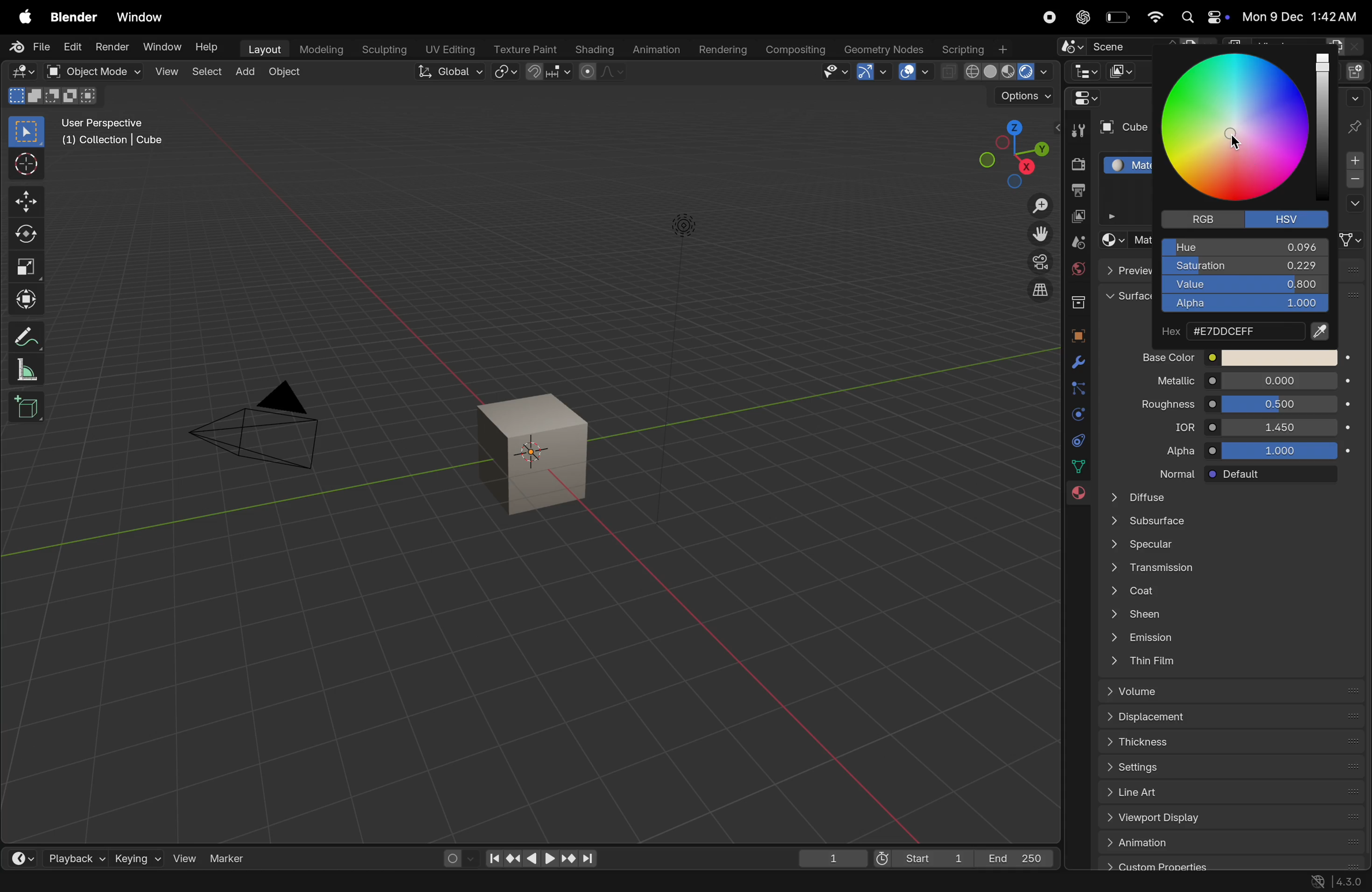  What do you see at coordinates (24, 369) in the screenshot?
I see `measure ` at bounding box center [24, 369].